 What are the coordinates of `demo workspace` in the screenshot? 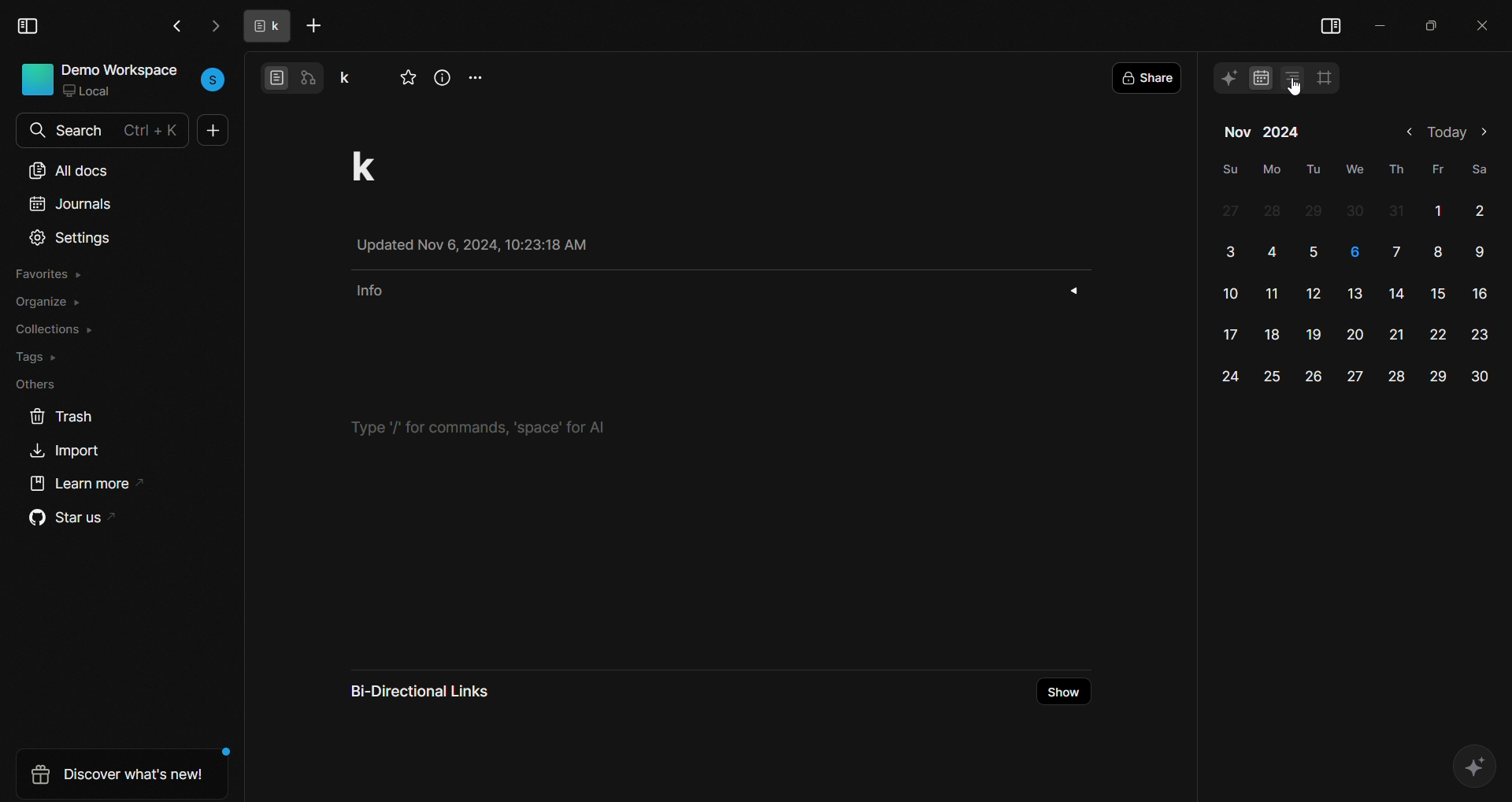 It's located at (122, 70).